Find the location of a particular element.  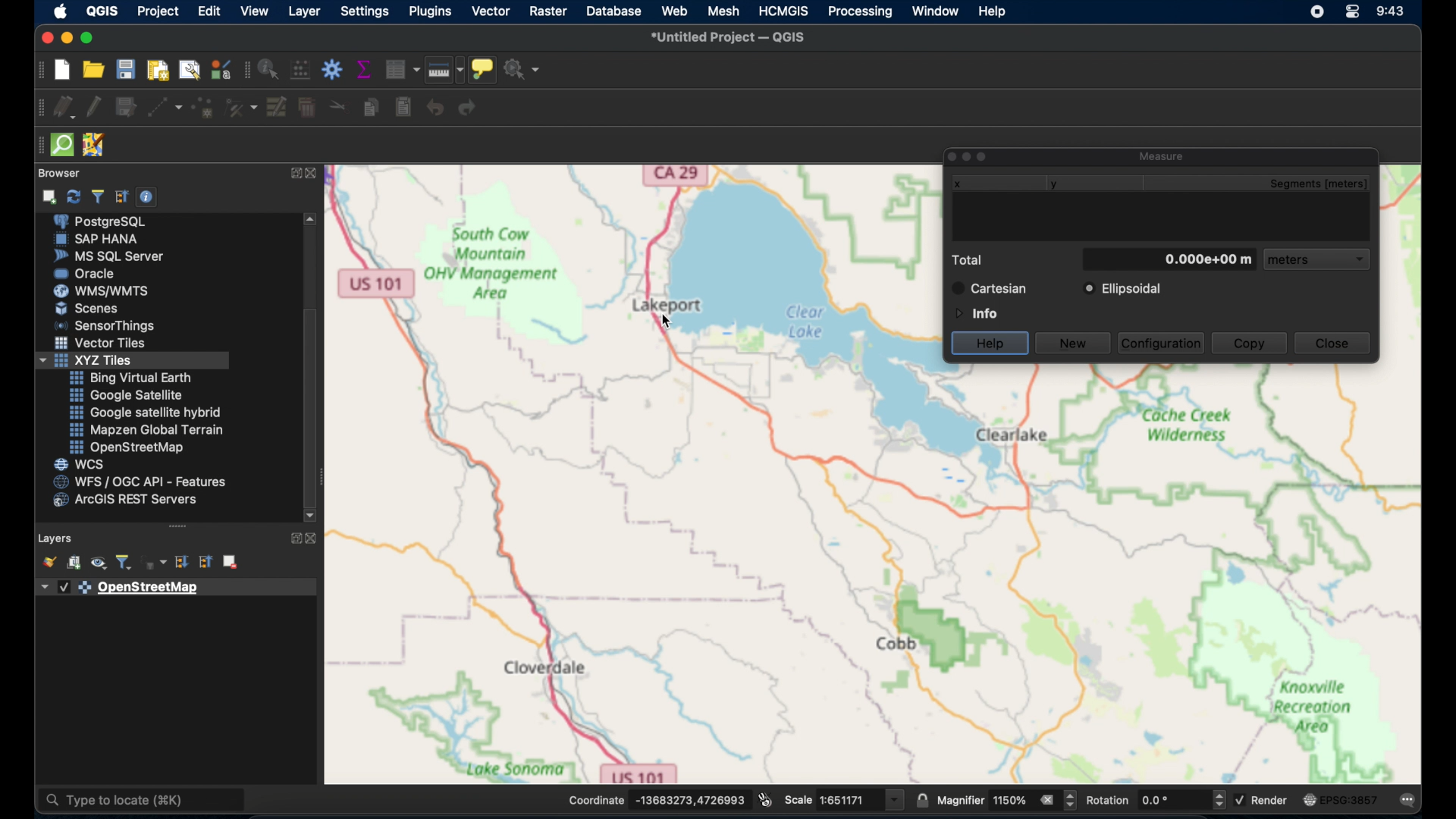

openstreetmap layer is located at coordinates (121, 588).